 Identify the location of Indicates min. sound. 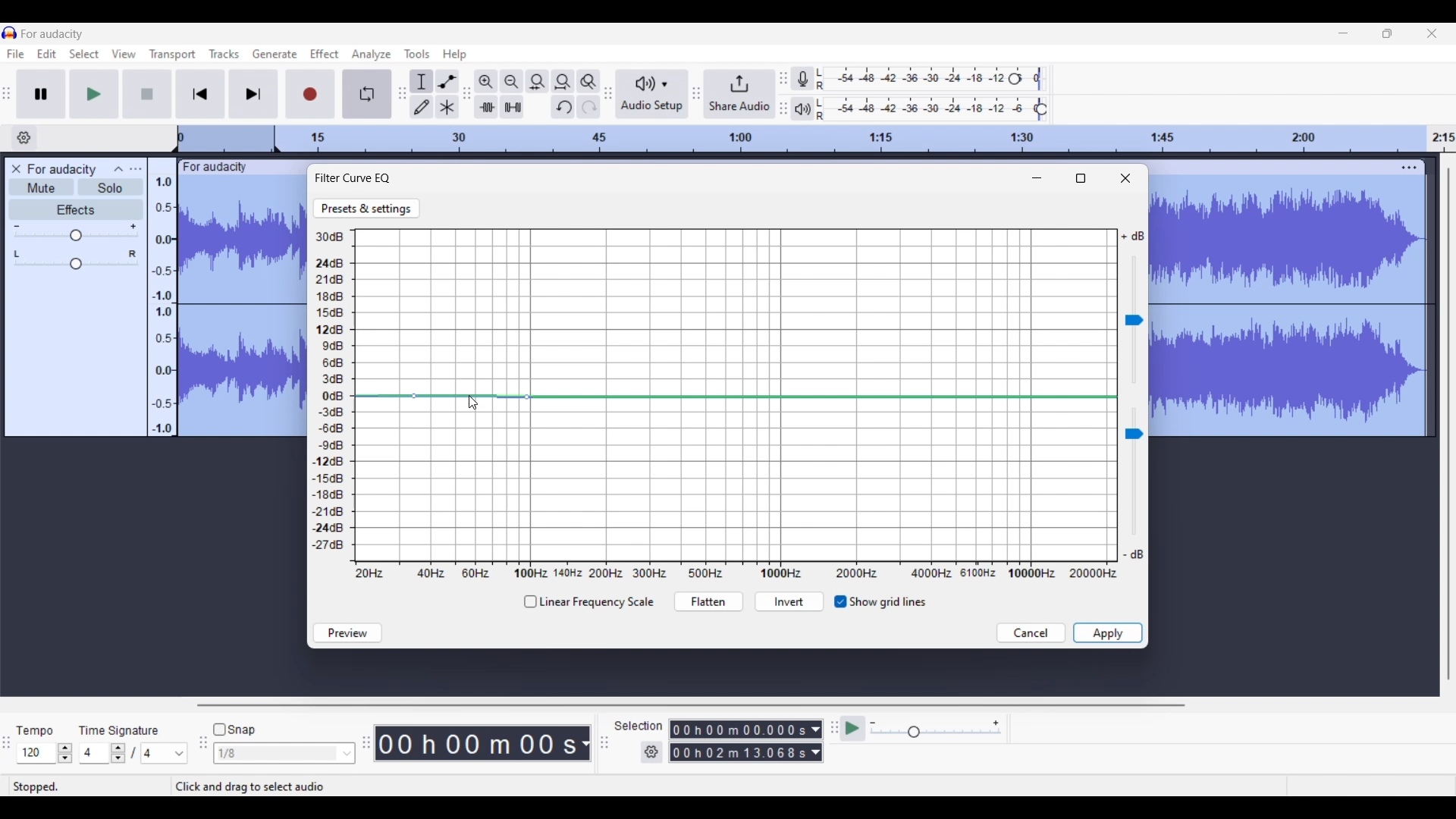
(1133, 554).